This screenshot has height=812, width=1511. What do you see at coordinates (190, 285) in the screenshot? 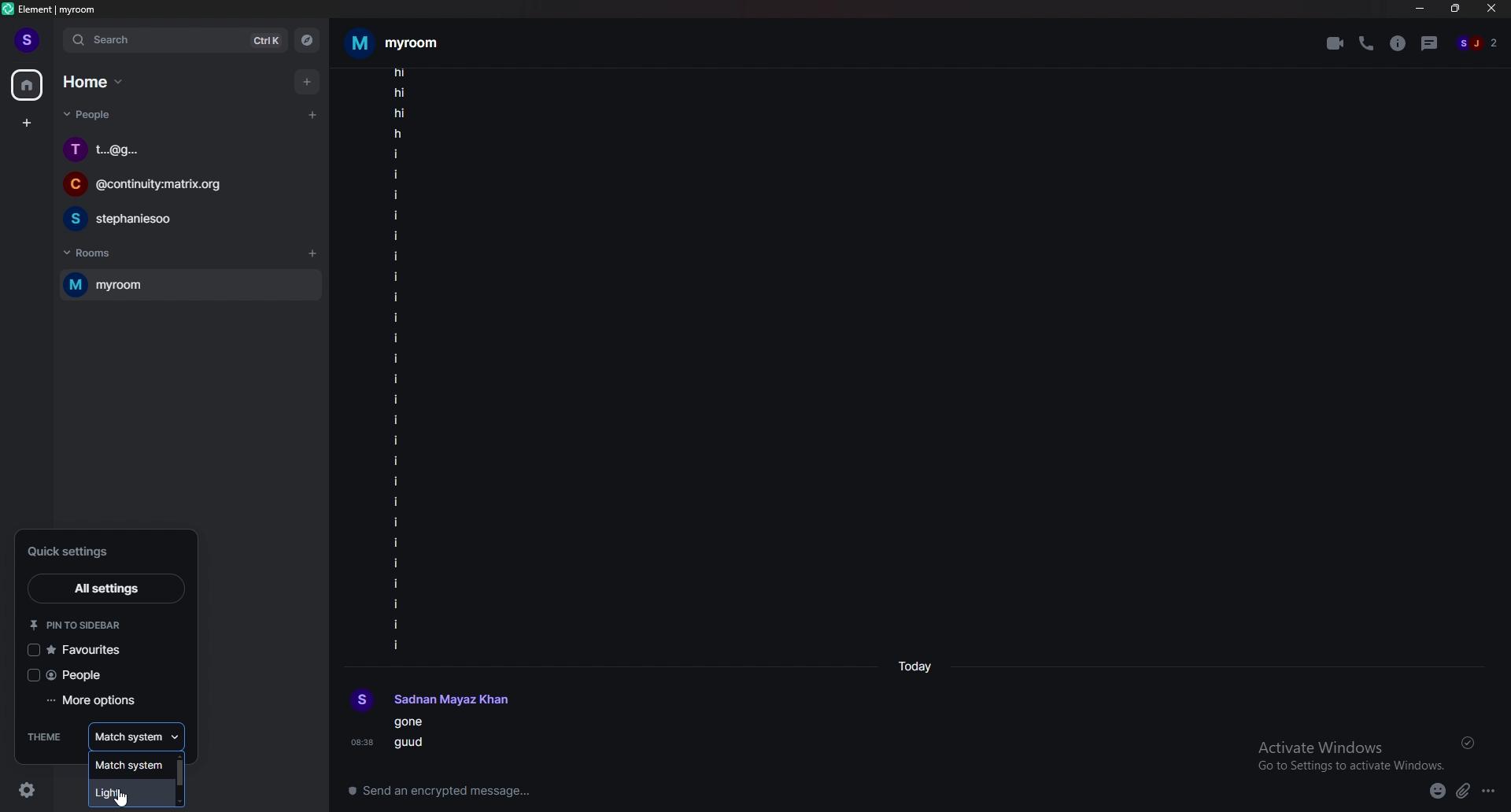
I see `my room` at bounding box center [190, 285].